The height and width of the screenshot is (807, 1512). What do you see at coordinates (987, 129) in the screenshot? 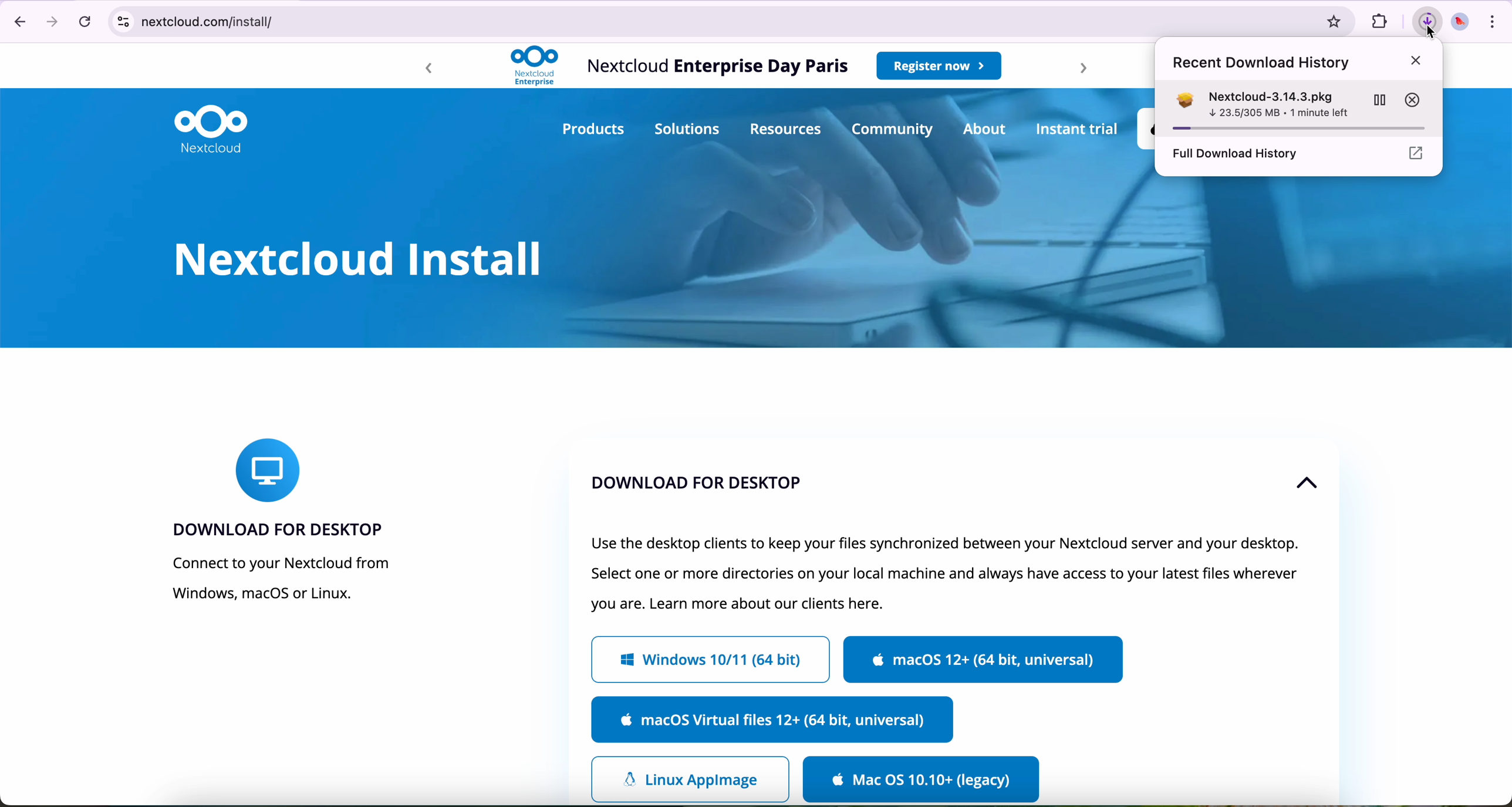
I see `about` at bounding box center [987, 129].